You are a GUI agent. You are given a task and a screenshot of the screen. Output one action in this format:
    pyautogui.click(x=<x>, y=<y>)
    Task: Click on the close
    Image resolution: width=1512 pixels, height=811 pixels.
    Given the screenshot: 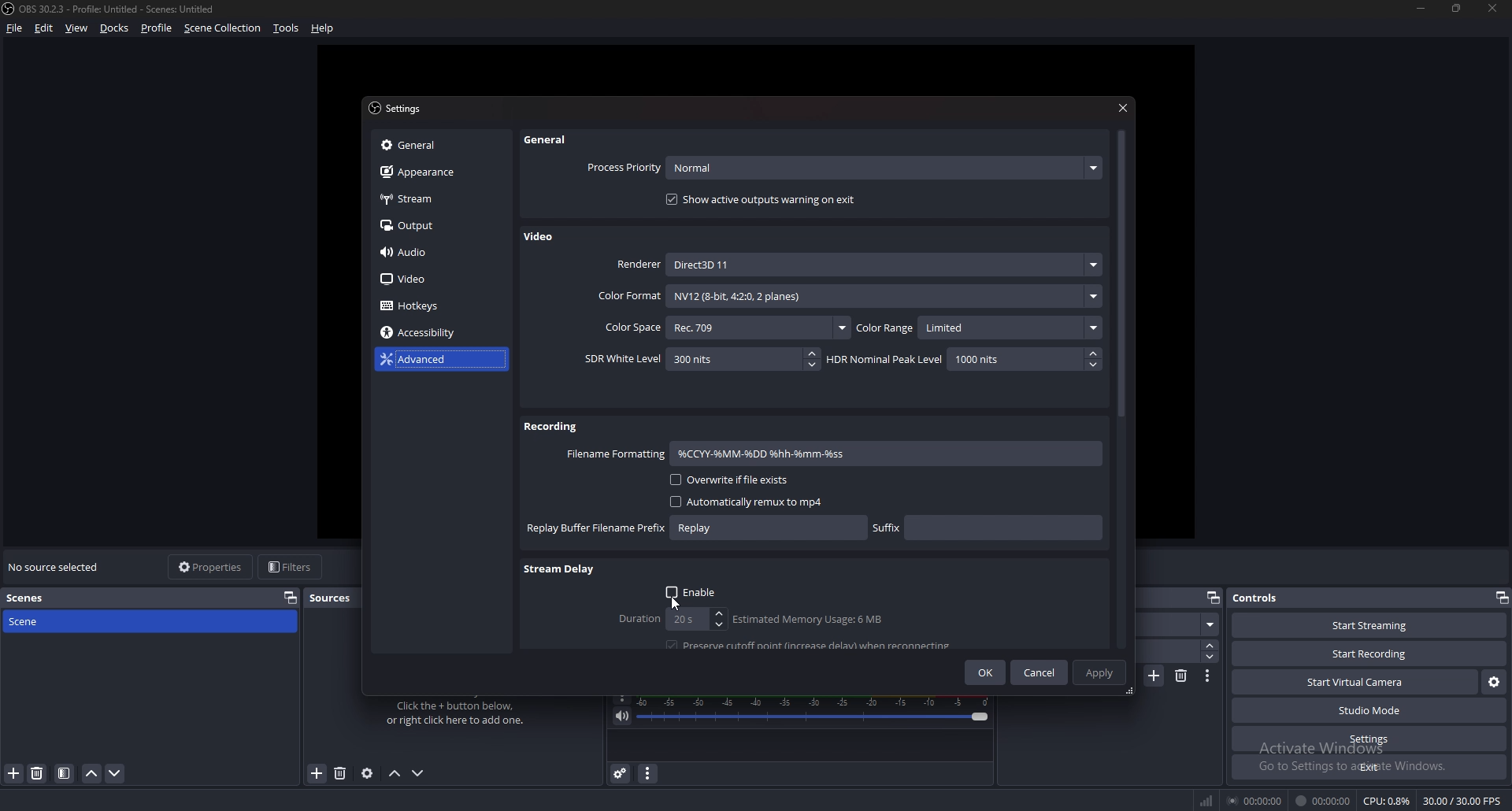 What is the action you would take?
    pyautogui.click(x=1125, y=106)
    